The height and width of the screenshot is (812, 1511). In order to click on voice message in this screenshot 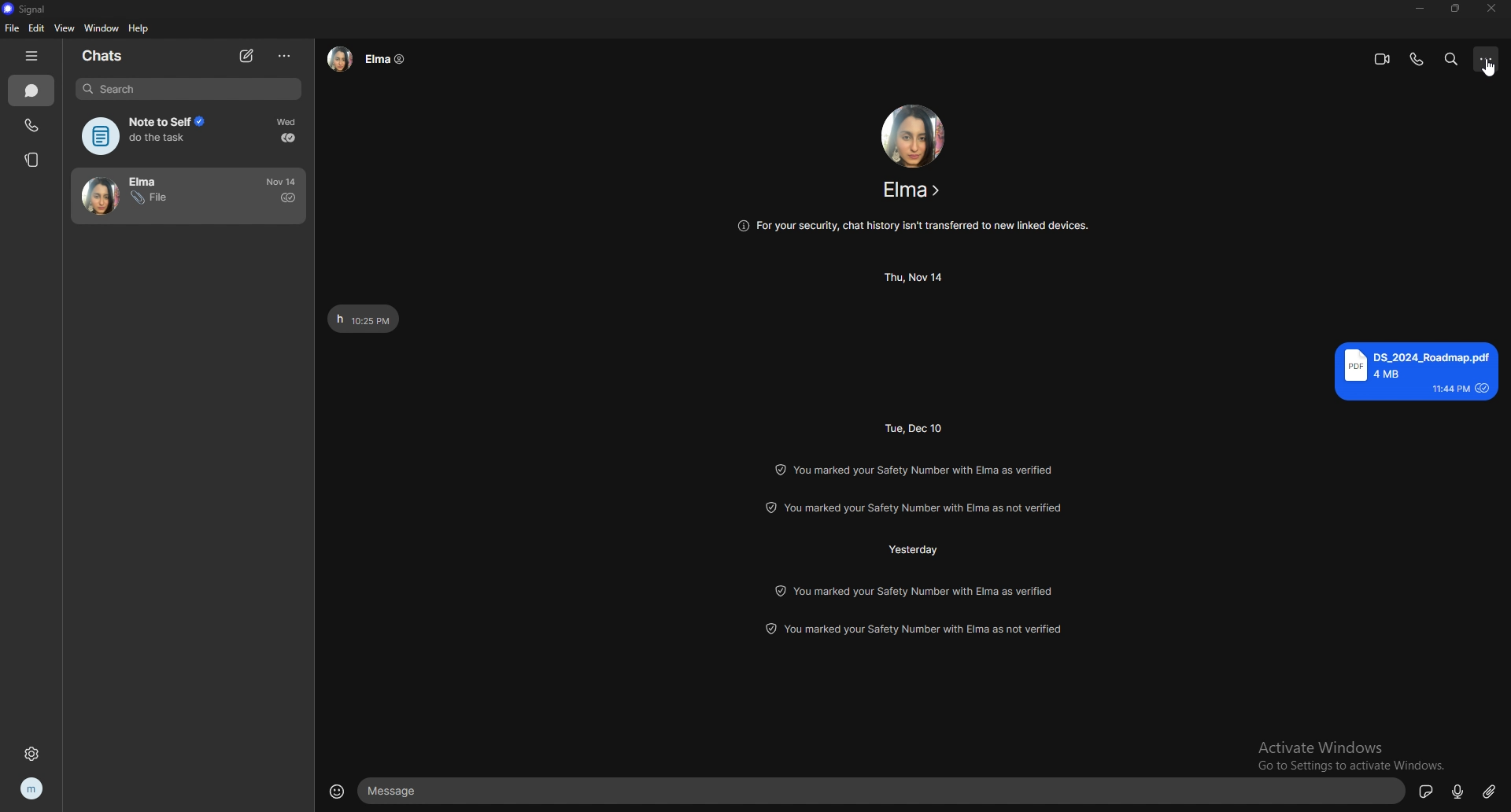, I will do `click(1457, 790)`.